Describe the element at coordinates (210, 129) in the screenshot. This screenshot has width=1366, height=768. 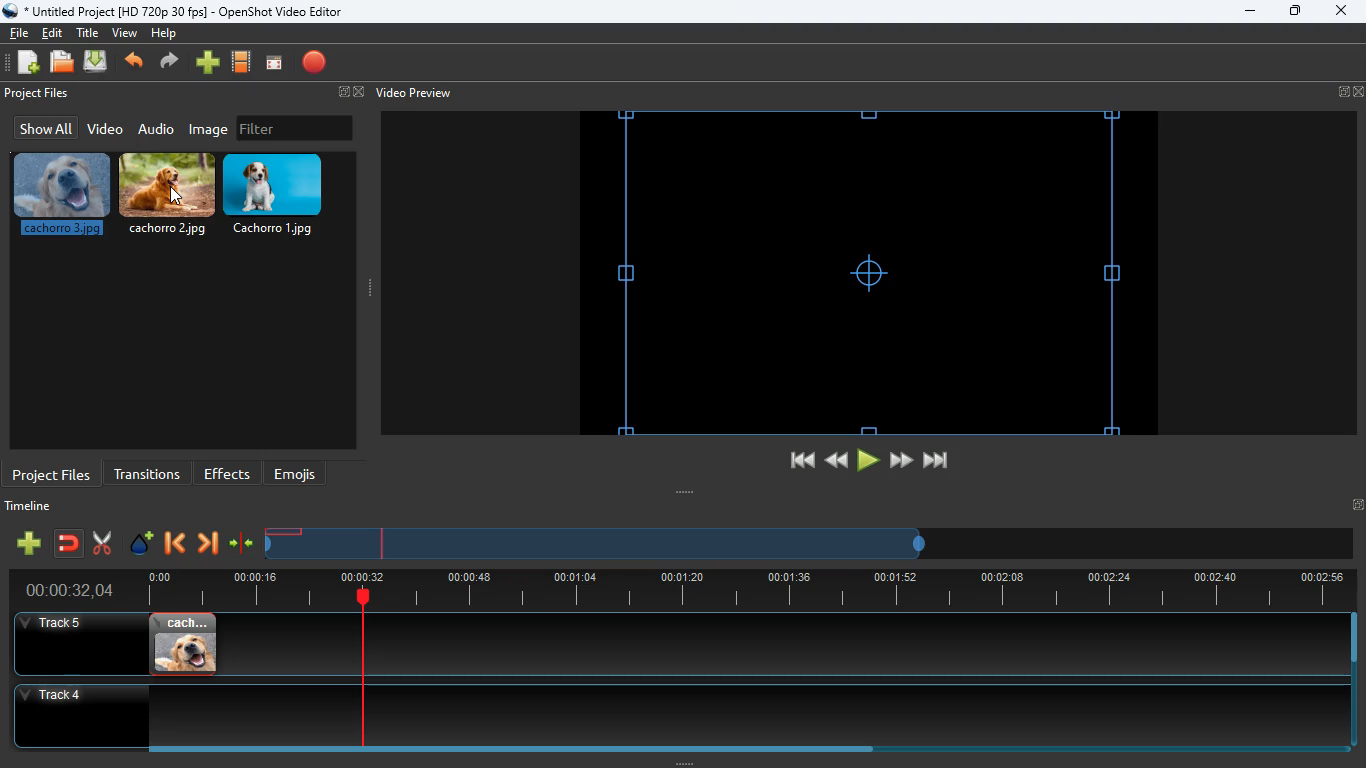
I see `image` at that location.